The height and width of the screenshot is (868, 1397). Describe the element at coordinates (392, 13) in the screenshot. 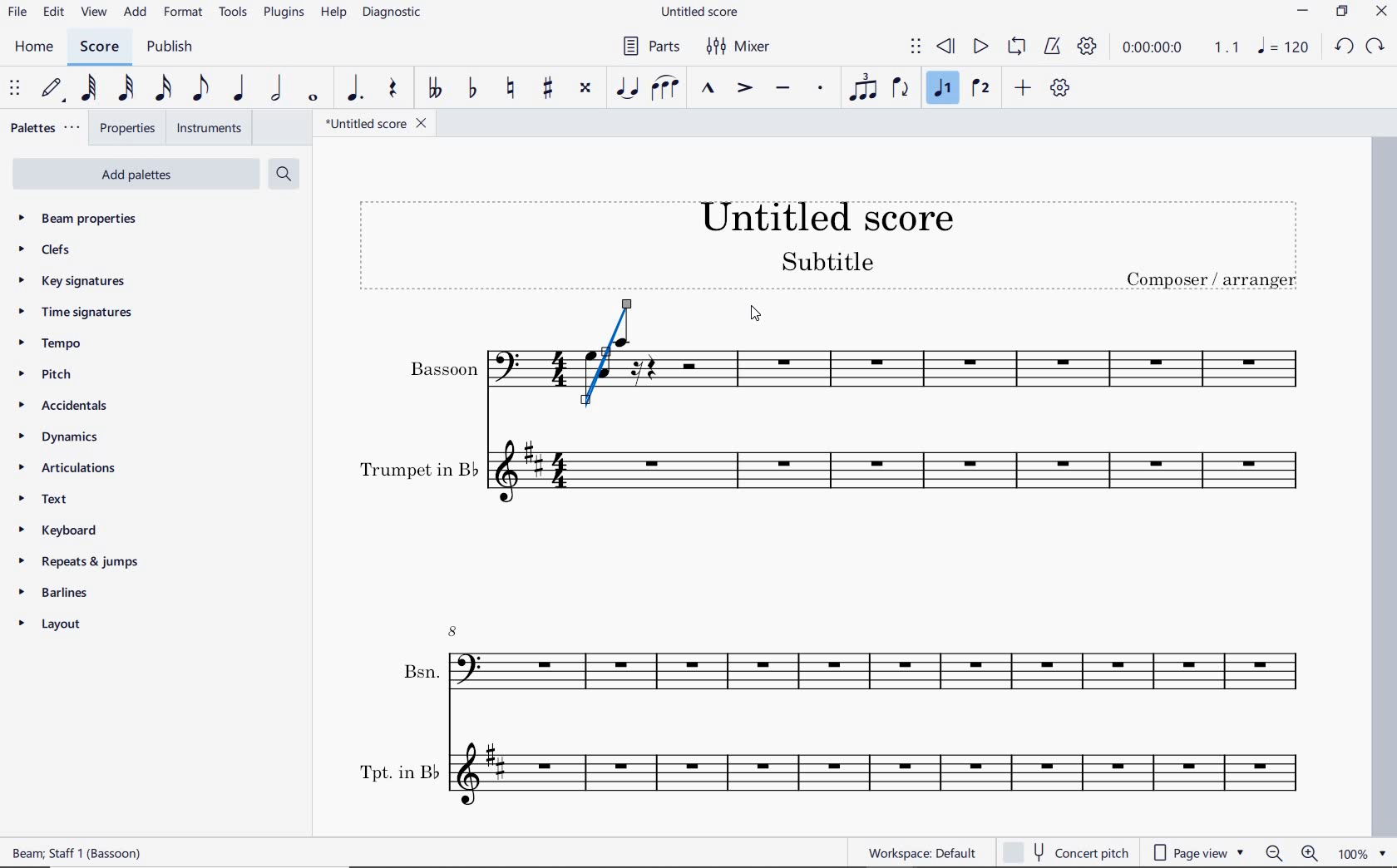

I see `diagnostic` at that location.